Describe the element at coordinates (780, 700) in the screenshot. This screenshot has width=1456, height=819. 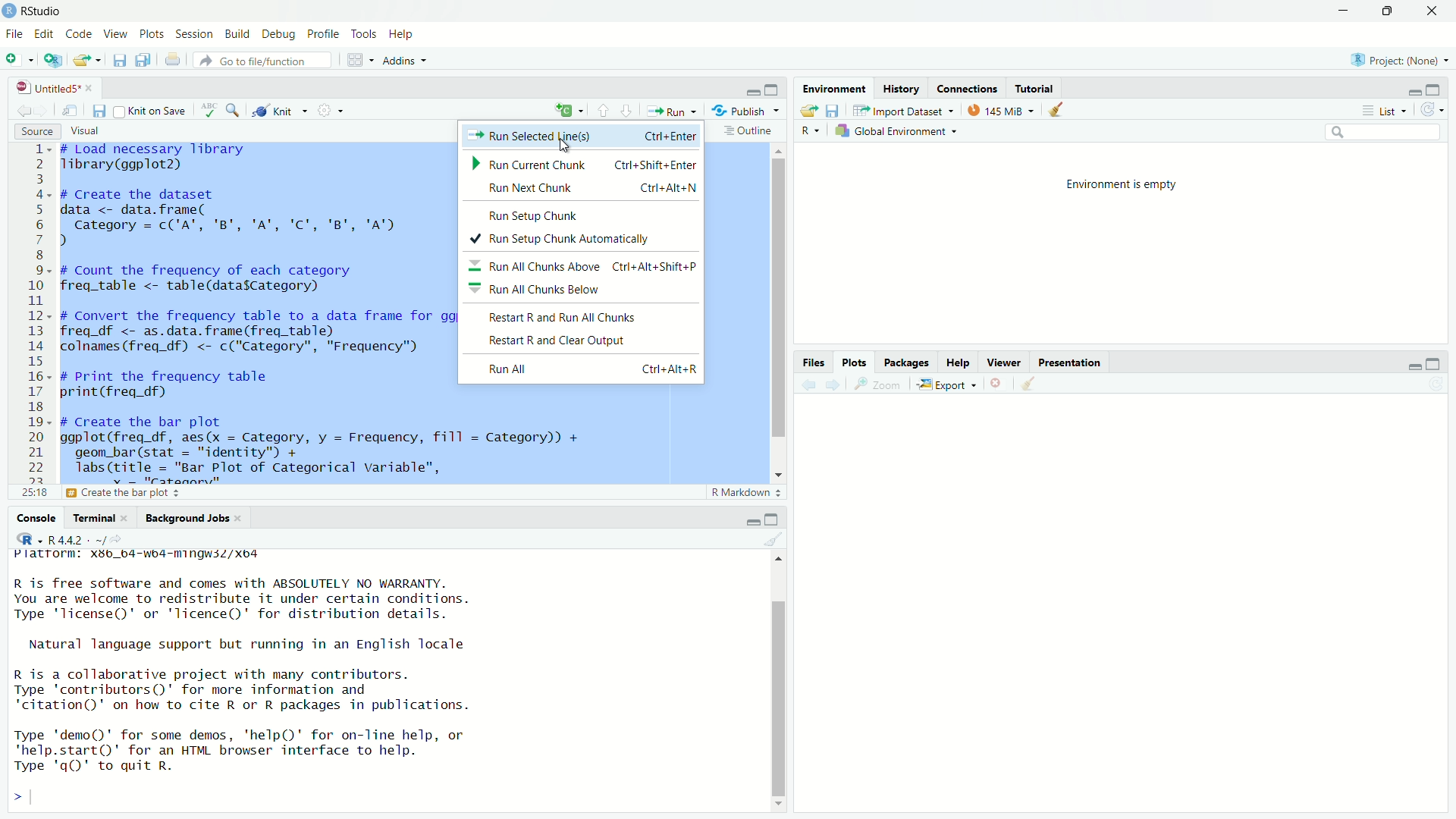
I see `vertical scrollbar` at that location.